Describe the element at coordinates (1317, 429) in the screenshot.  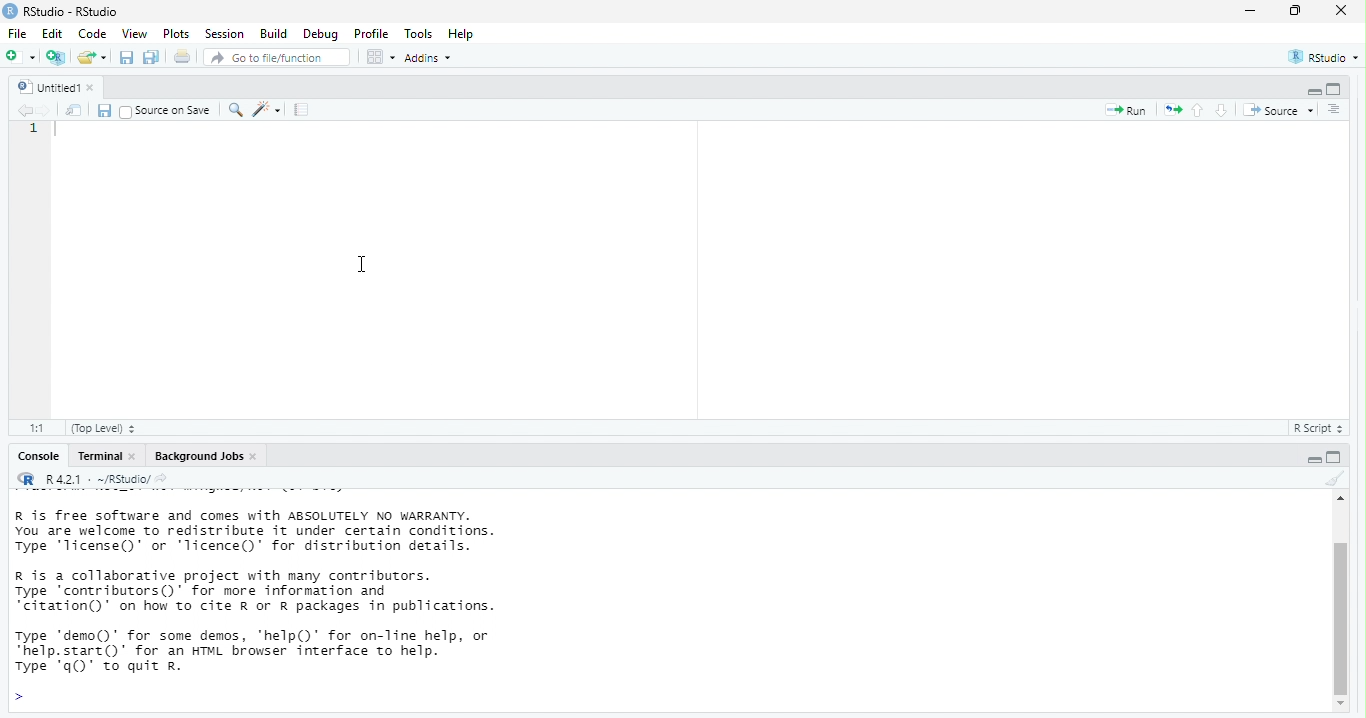
I see `R Script` at that location.